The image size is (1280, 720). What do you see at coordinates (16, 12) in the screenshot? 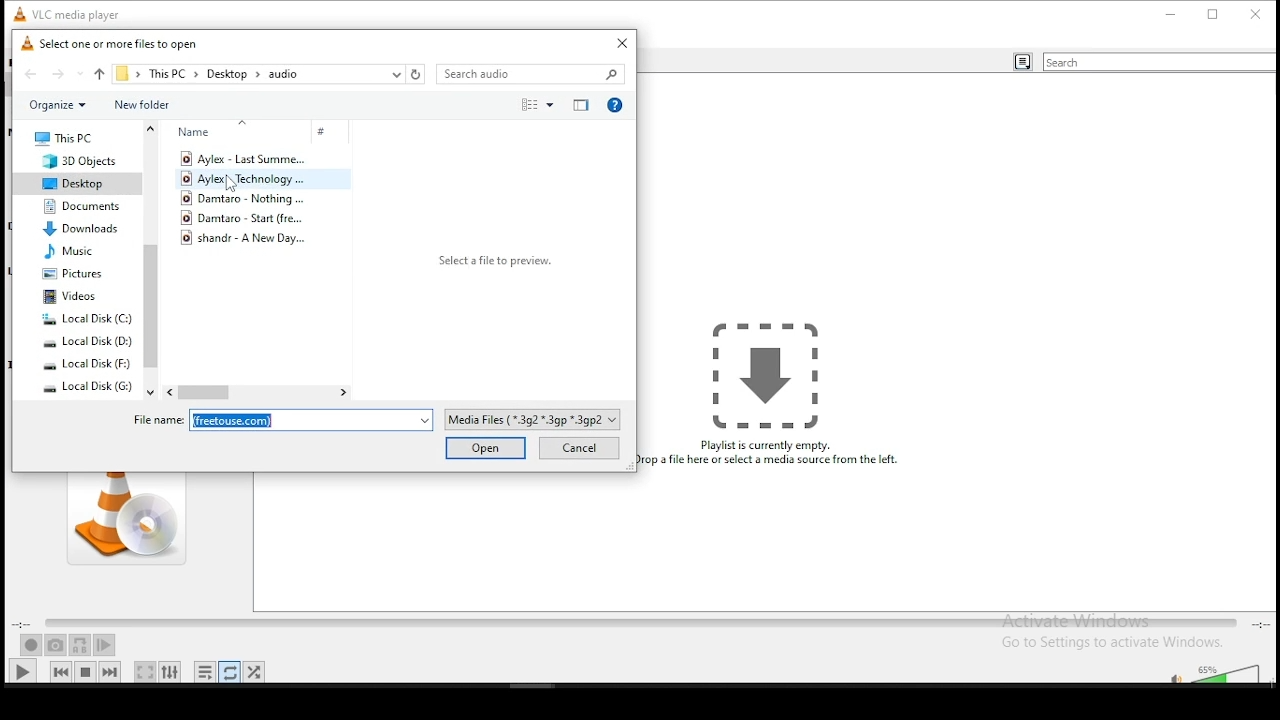
I see `vlc icon` at bounding box center [16, 12].